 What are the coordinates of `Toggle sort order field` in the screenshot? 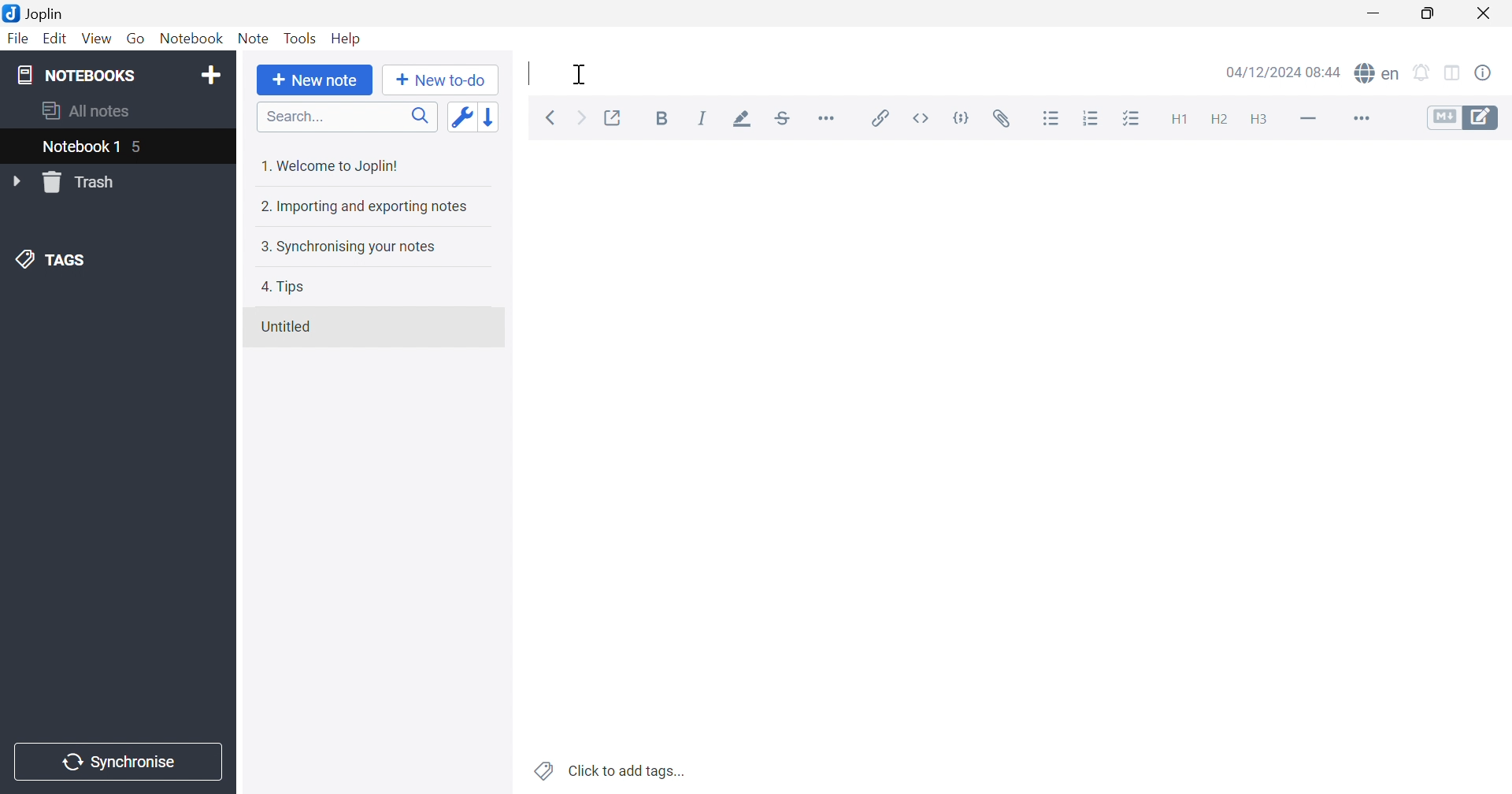 It's located at (461, 117).